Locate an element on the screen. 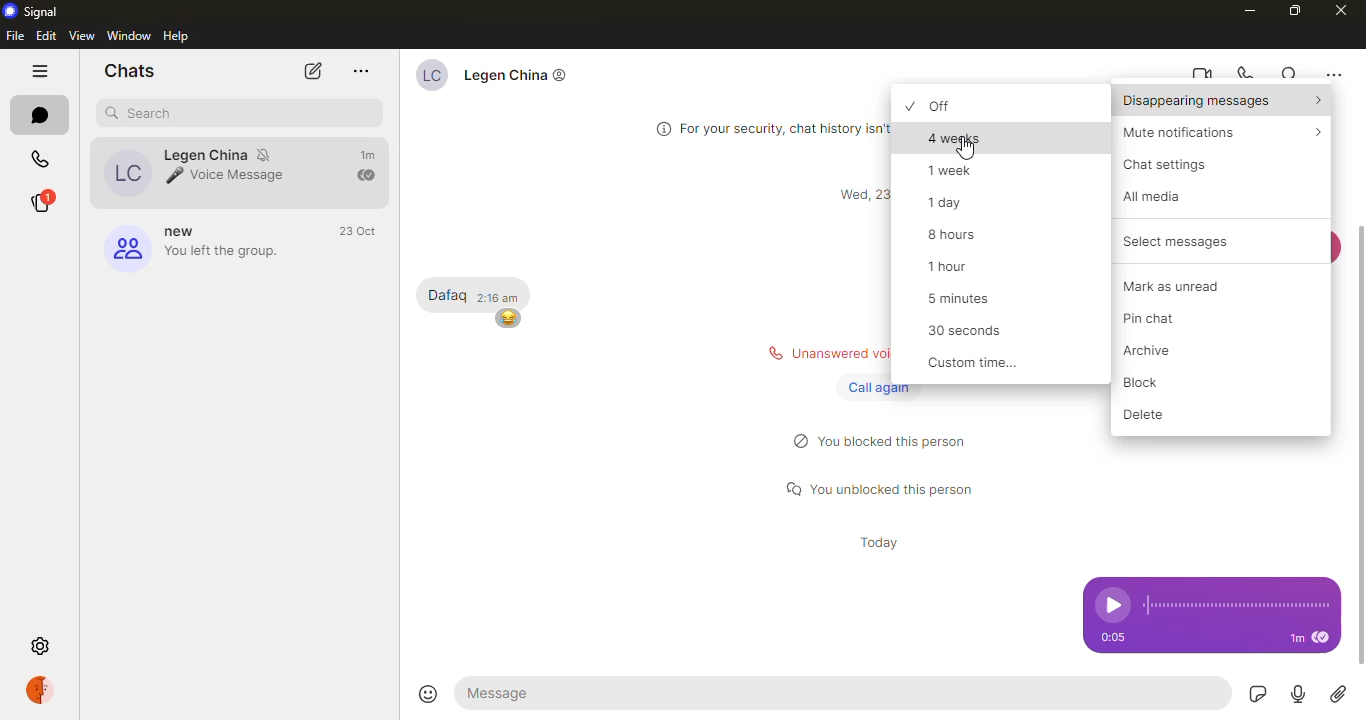 This screenshot has height=720, width=1366. pin chat is located at coordinates (1164, 318).